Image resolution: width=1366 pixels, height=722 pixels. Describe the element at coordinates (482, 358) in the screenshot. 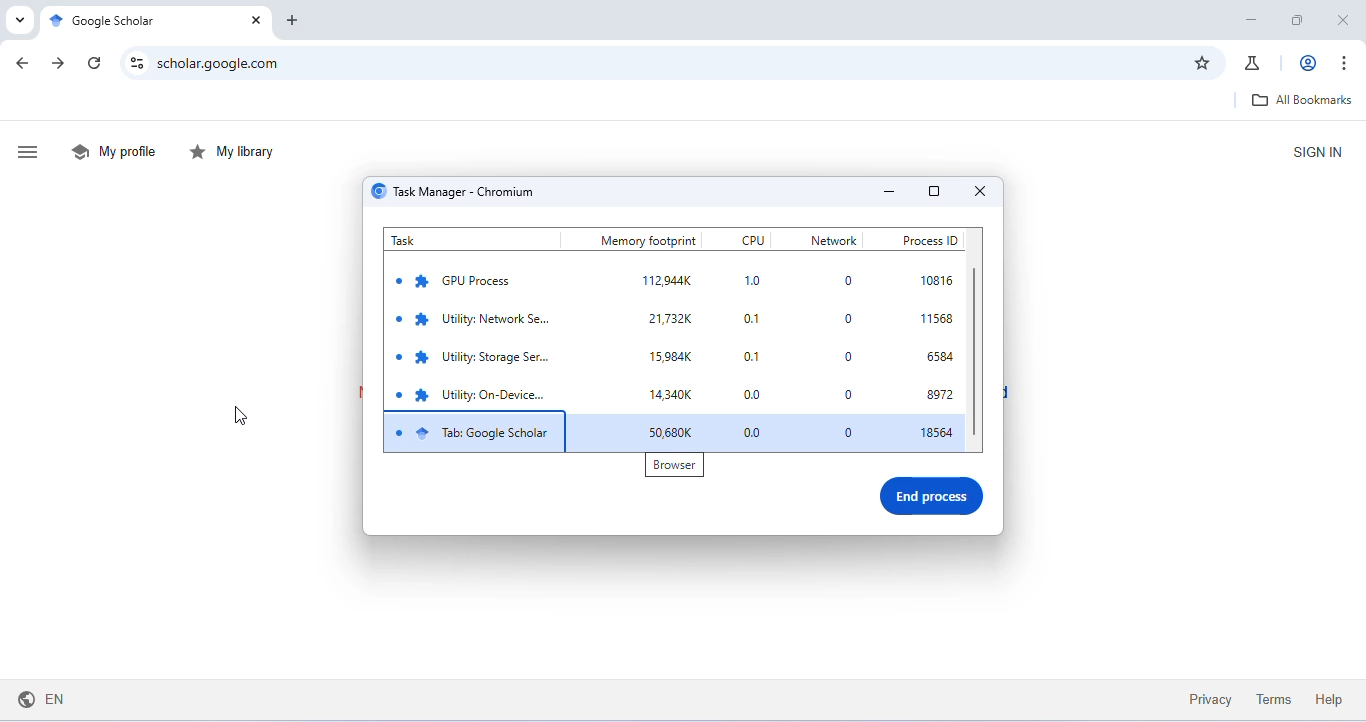

I see `utility storage service` at that location.